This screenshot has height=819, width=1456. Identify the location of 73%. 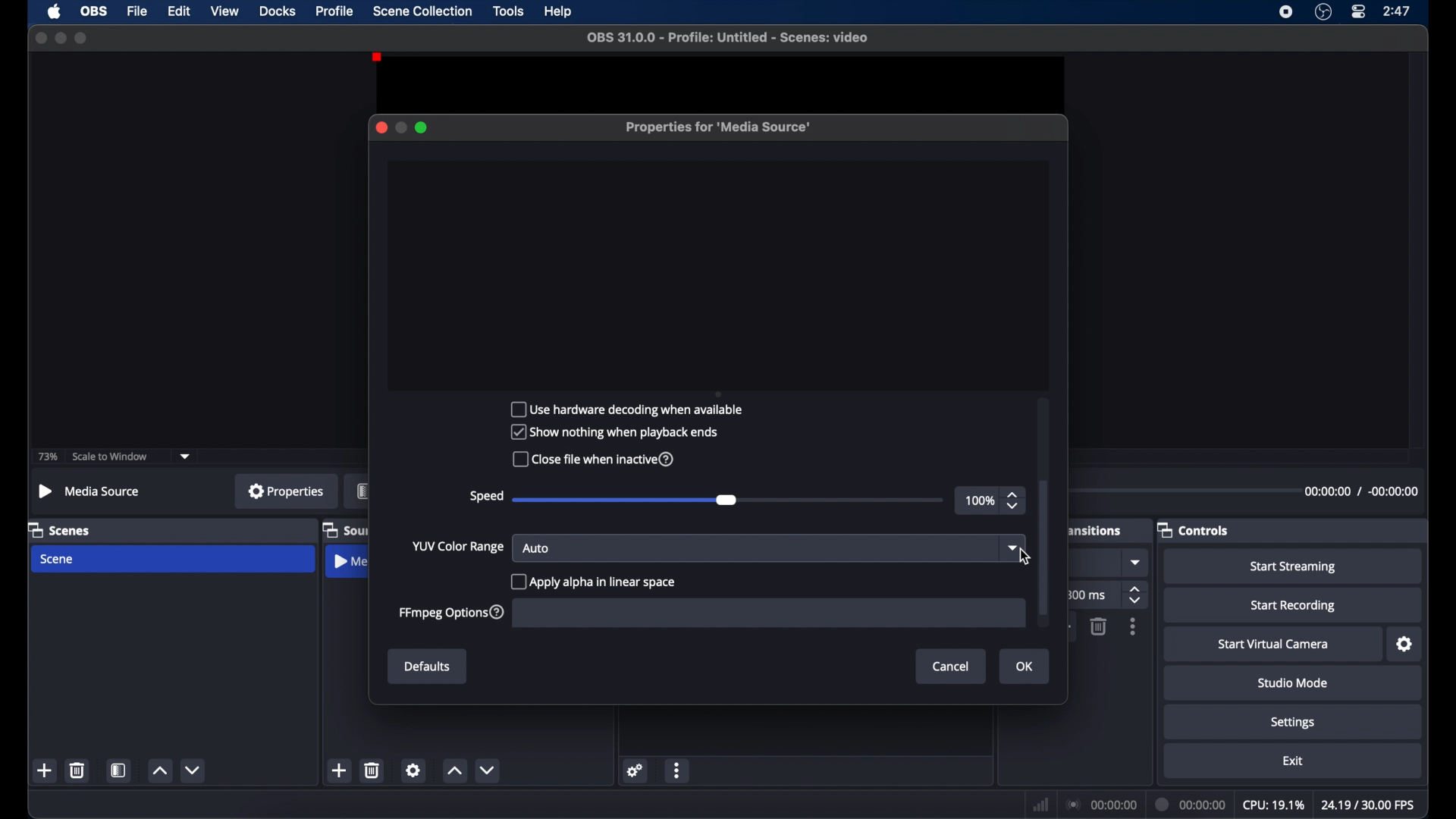
(49, 457).